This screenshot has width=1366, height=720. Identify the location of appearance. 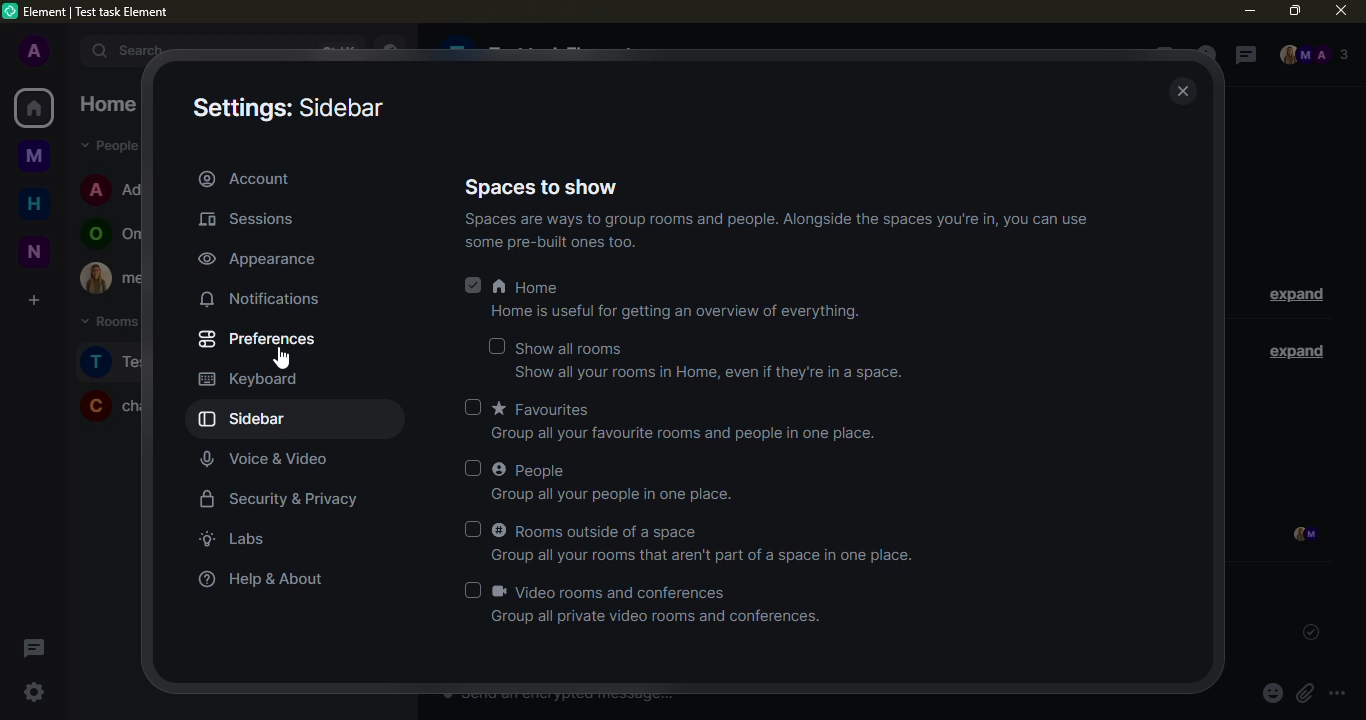
(258, 258).